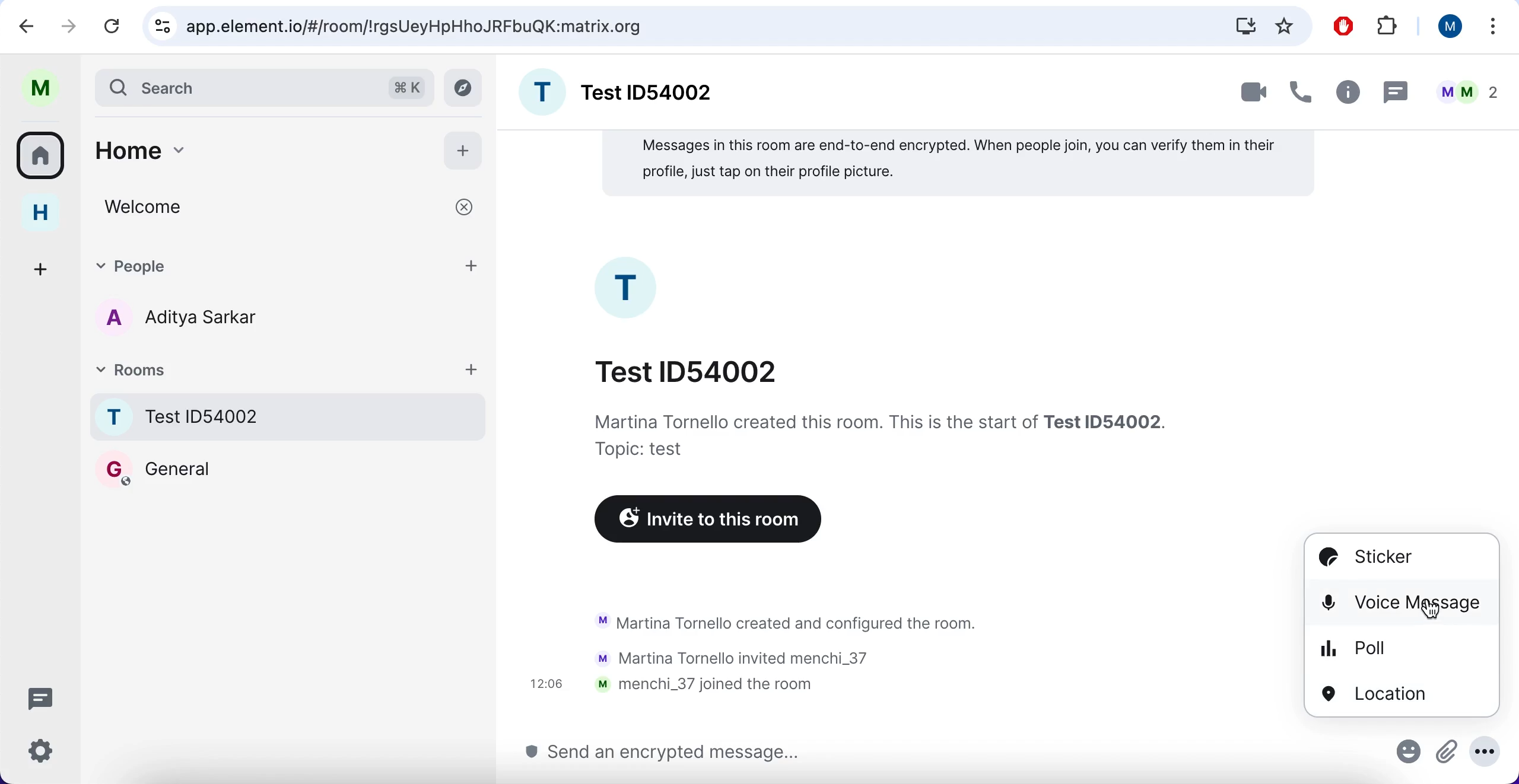 This screenshot has height=784, width=1519. What do you see at coordinates (1403, 756) in the screenshot?
I see `emoji` at bounding box center [1403, 756].